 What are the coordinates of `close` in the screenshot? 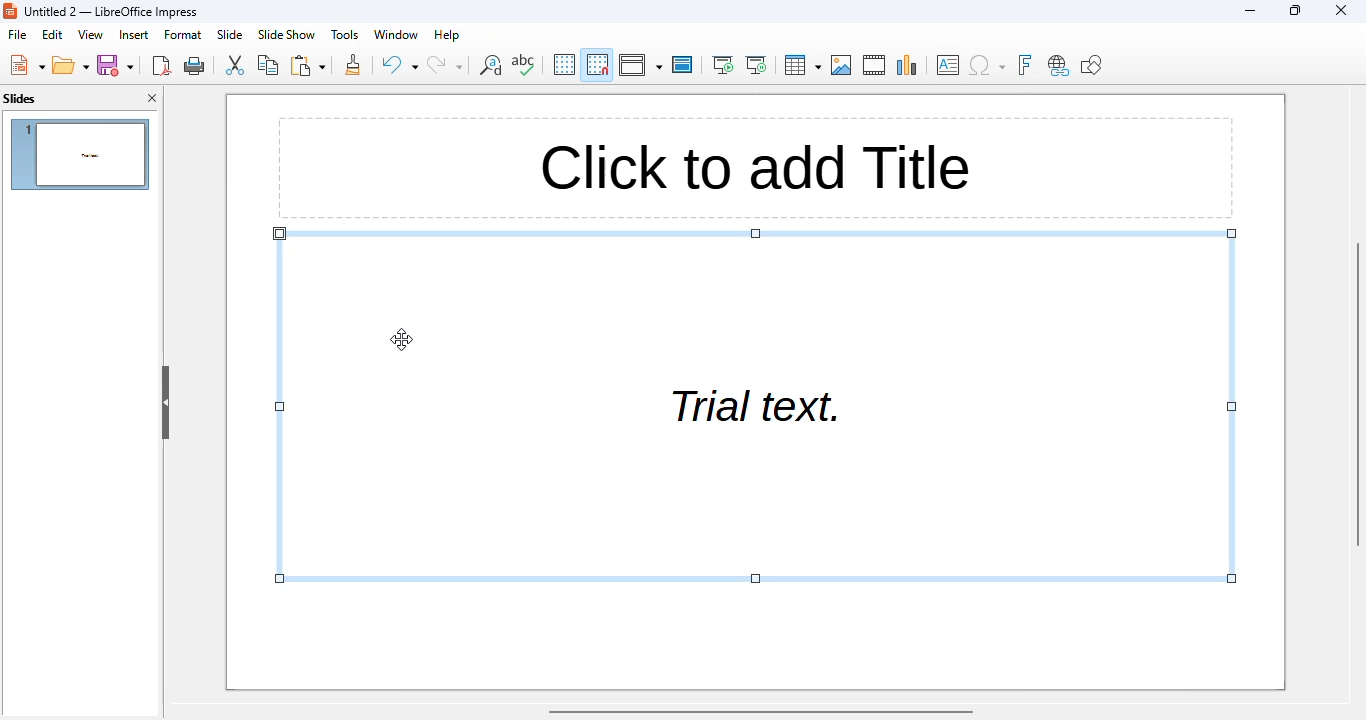 It's located at (1340, 10).